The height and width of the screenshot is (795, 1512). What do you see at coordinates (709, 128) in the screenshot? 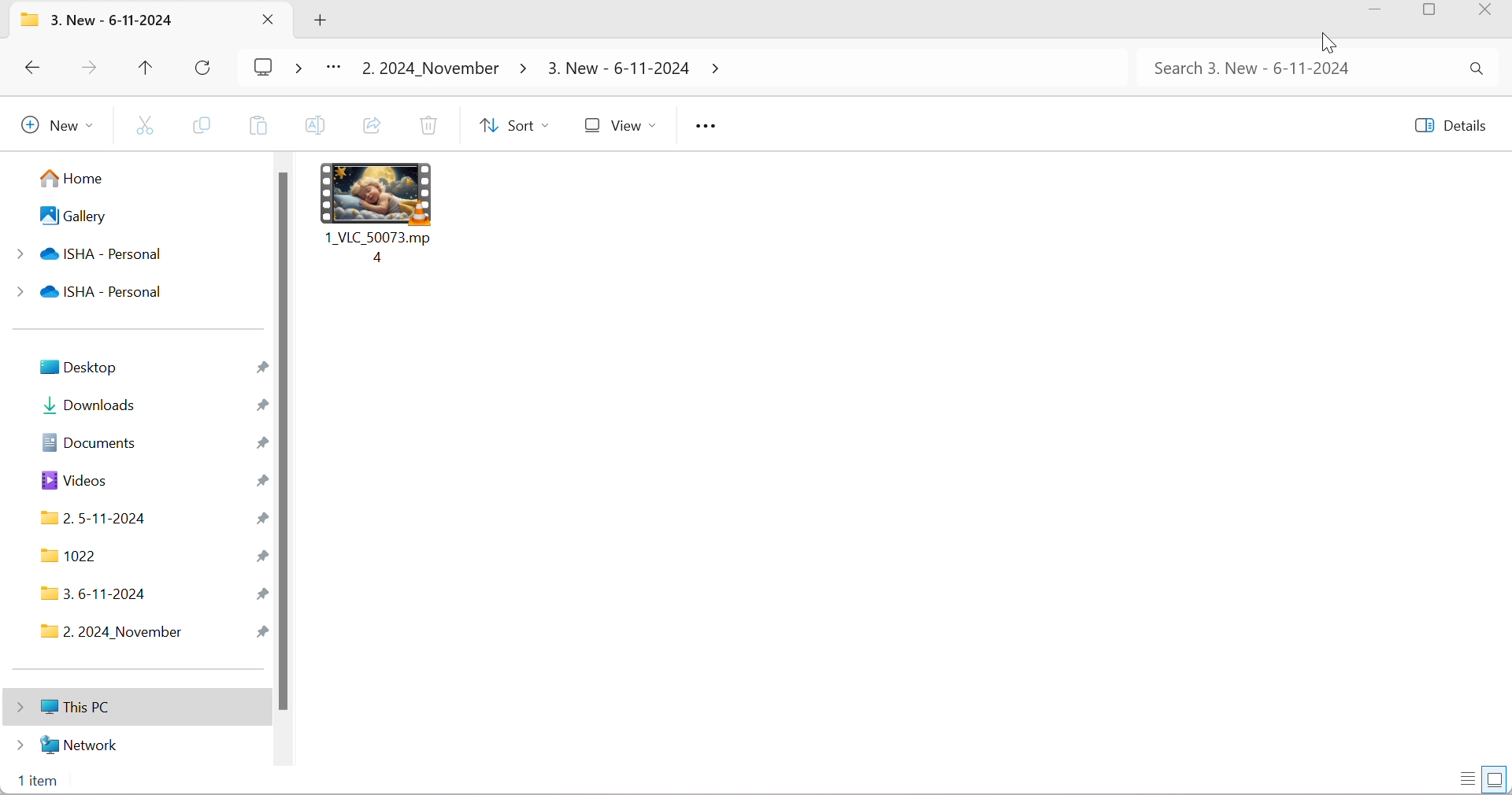
I see `more option` at bounding box center [709, 128].